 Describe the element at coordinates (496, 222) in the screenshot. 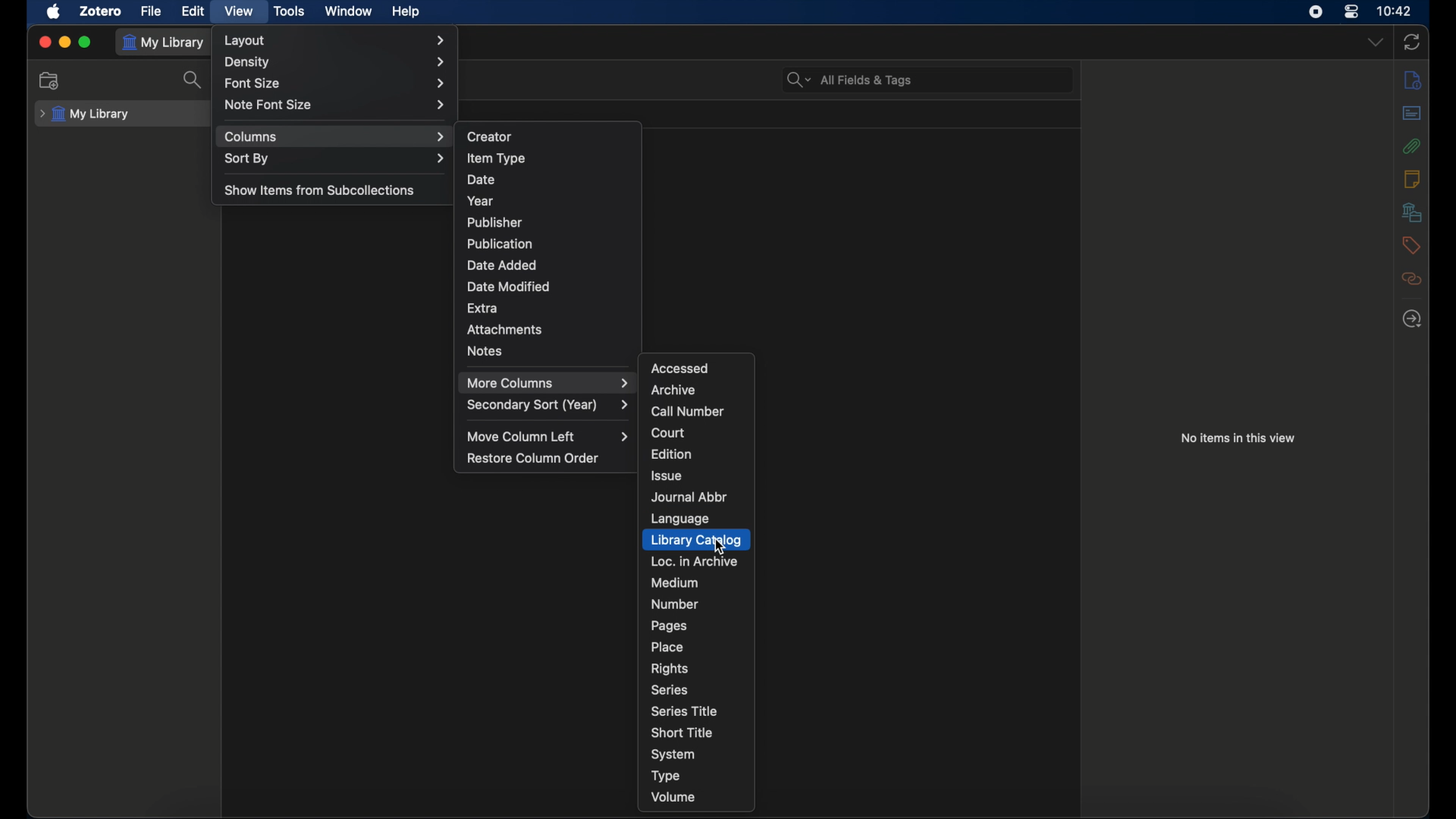

I see `publisher` at that location.